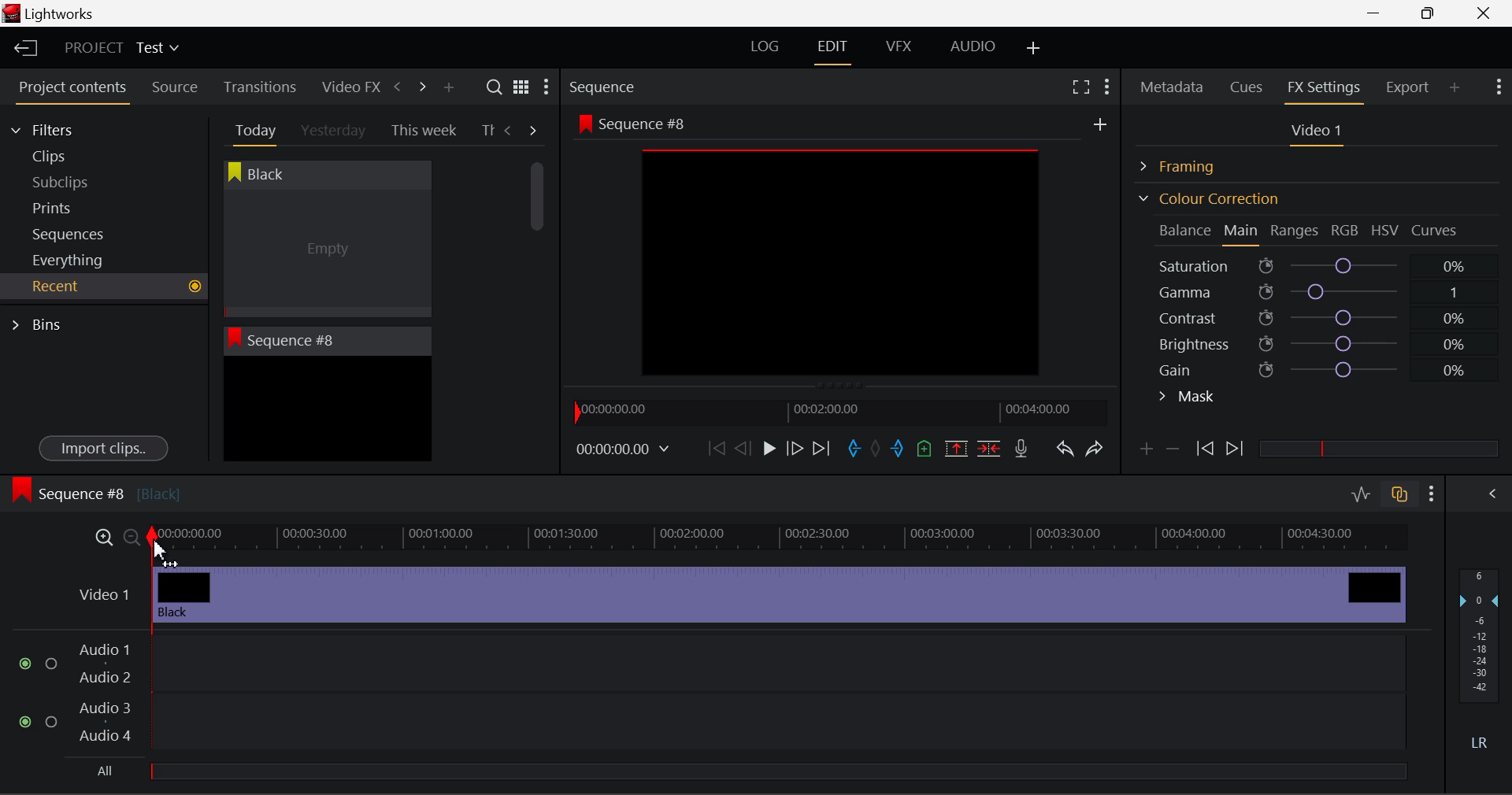  Describe the element at coordinates (487, 129) in the screenshot. I see `Th` at that location.